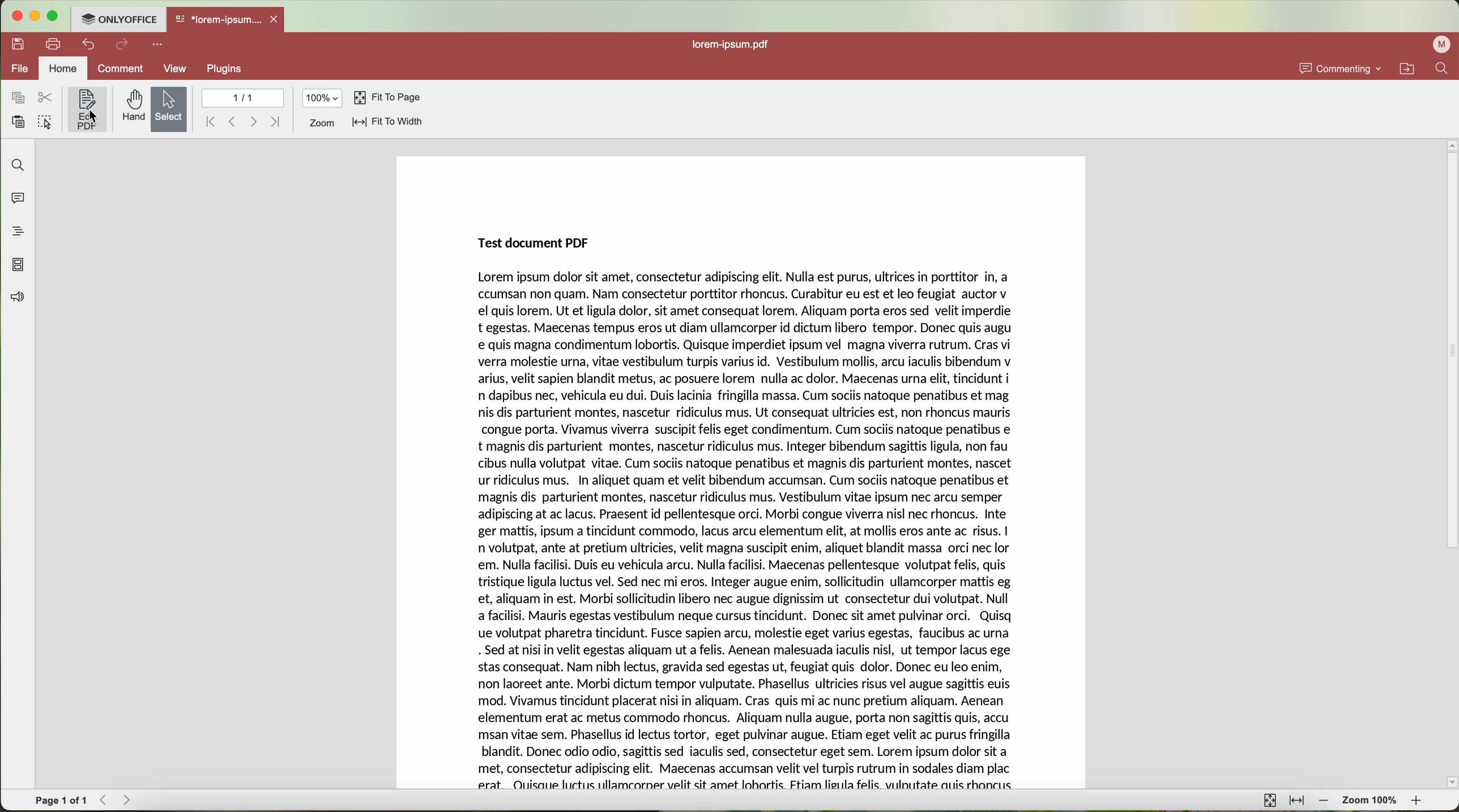  Describe the element at coordinates (1338, 67) in the screenshot. I see `commenting` at that location.